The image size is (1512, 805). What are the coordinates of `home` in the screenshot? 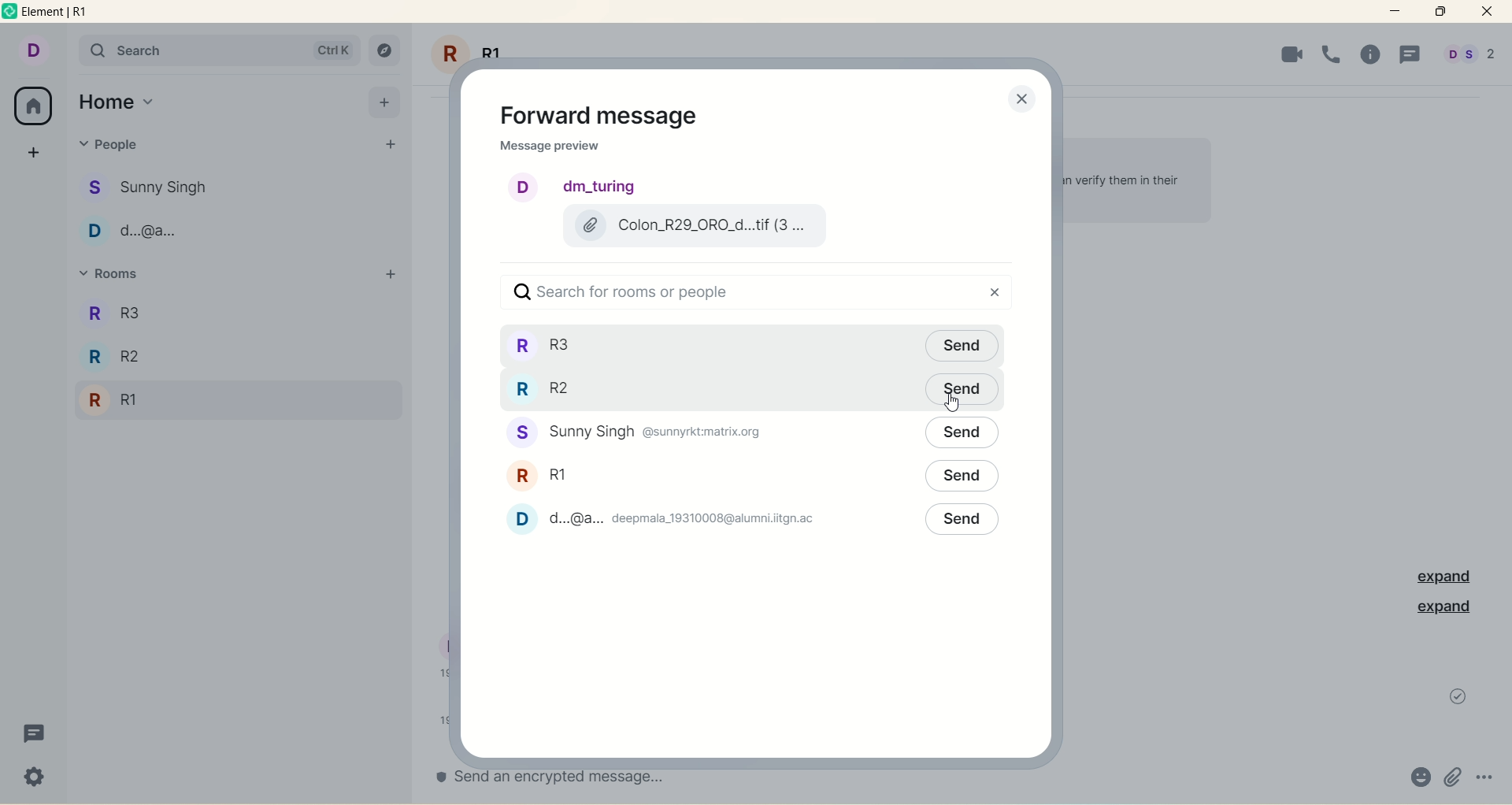 It's located at (117, 102).